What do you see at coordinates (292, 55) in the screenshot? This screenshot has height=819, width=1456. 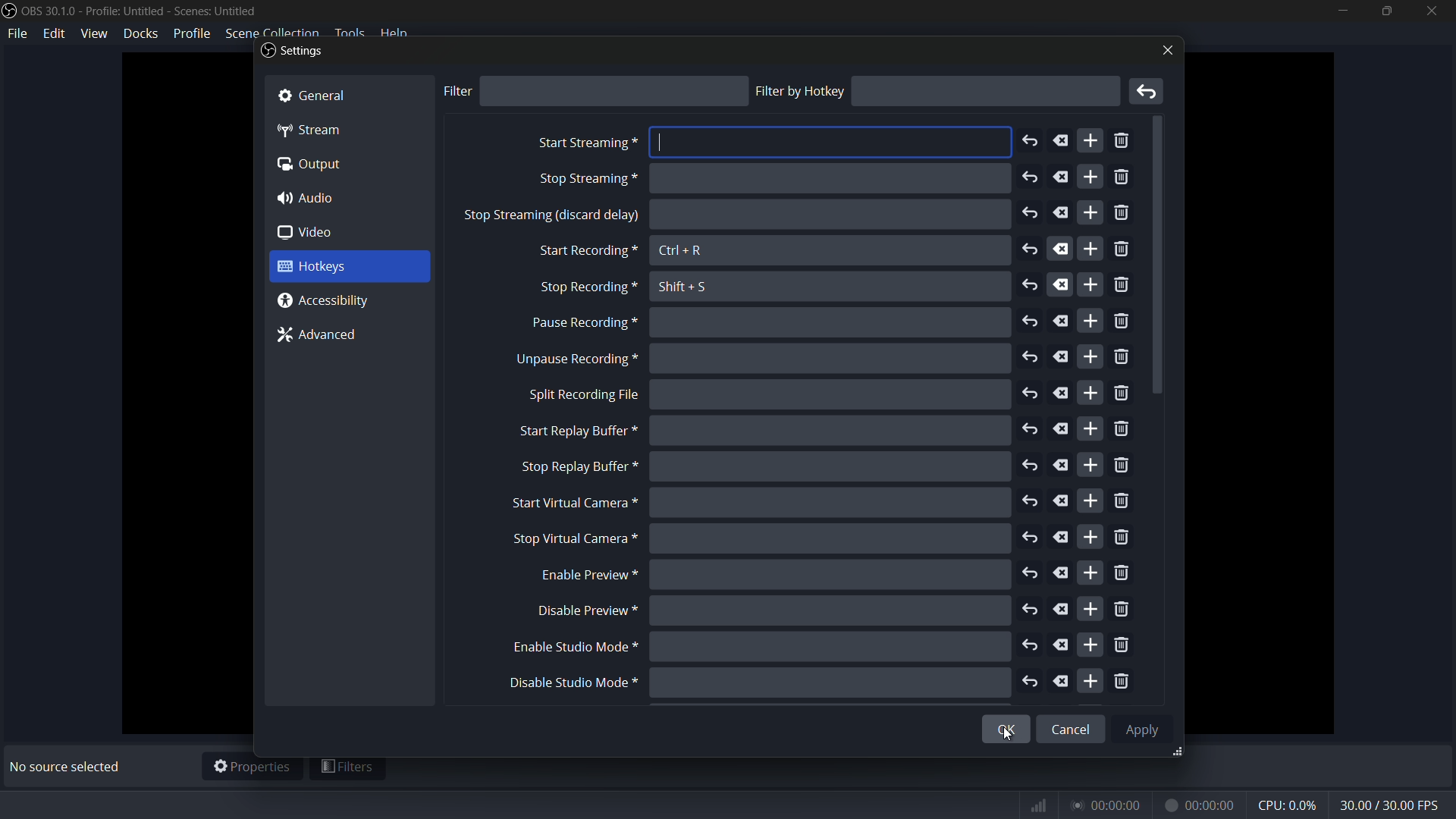 I see `Settings` at bounding box center [292, 55].